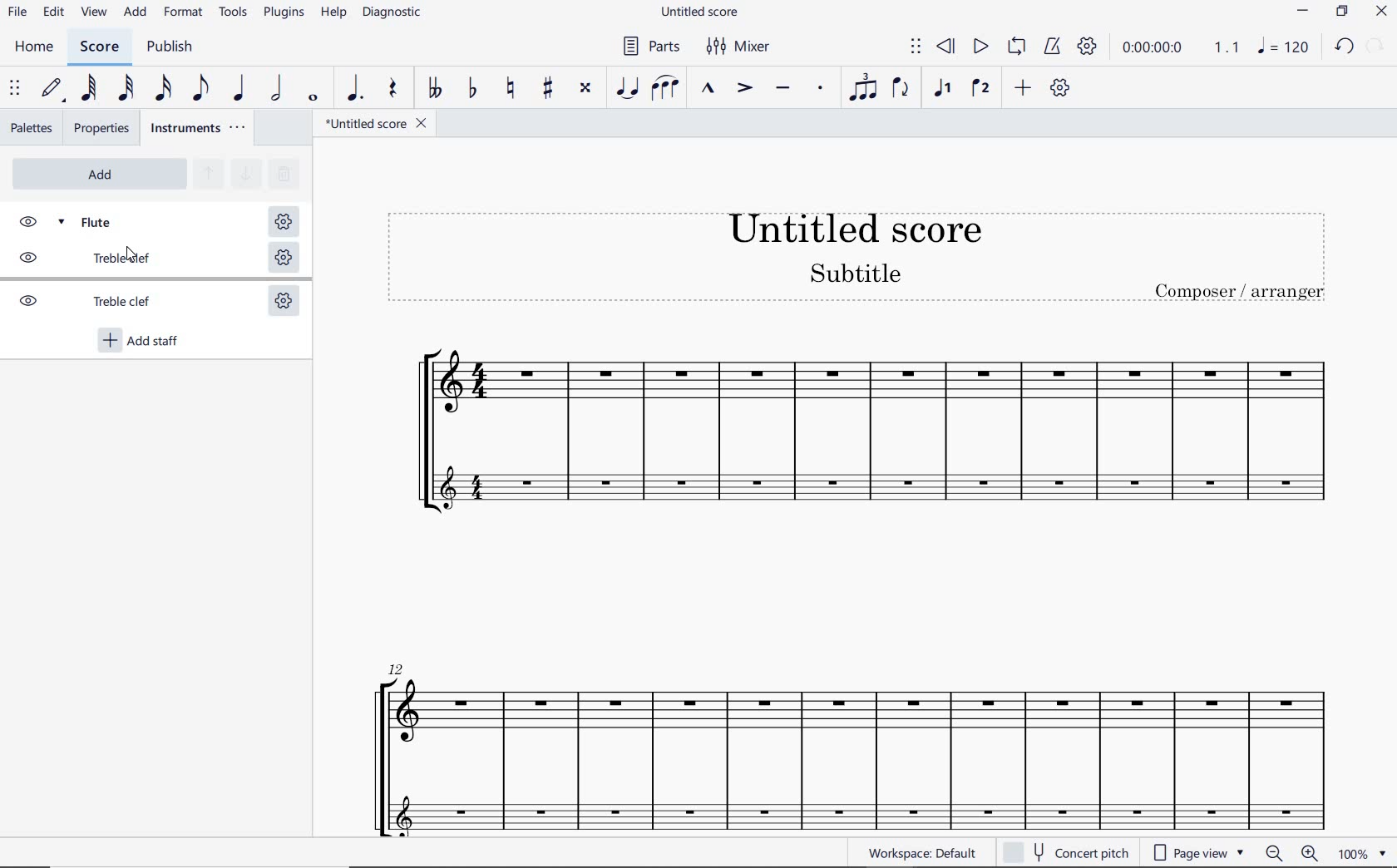  Describe the element at coordinates (433, 89) in the screenshot. I see `TOGGLE DOUBLE-FLAT` at that location.